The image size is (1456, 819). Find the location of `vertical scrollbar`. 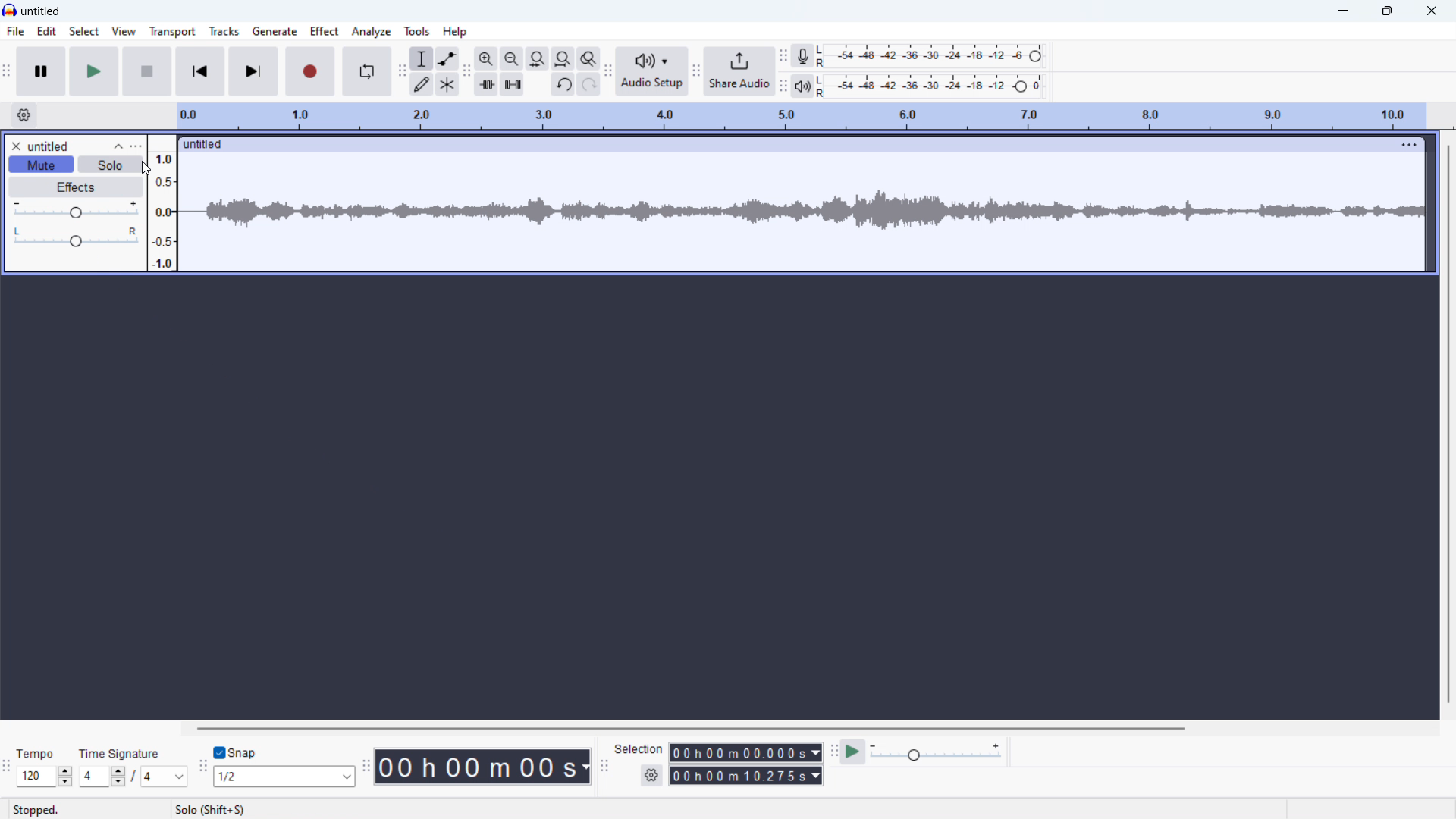

vertical scrollbar is located at coordinates (1448, 424).